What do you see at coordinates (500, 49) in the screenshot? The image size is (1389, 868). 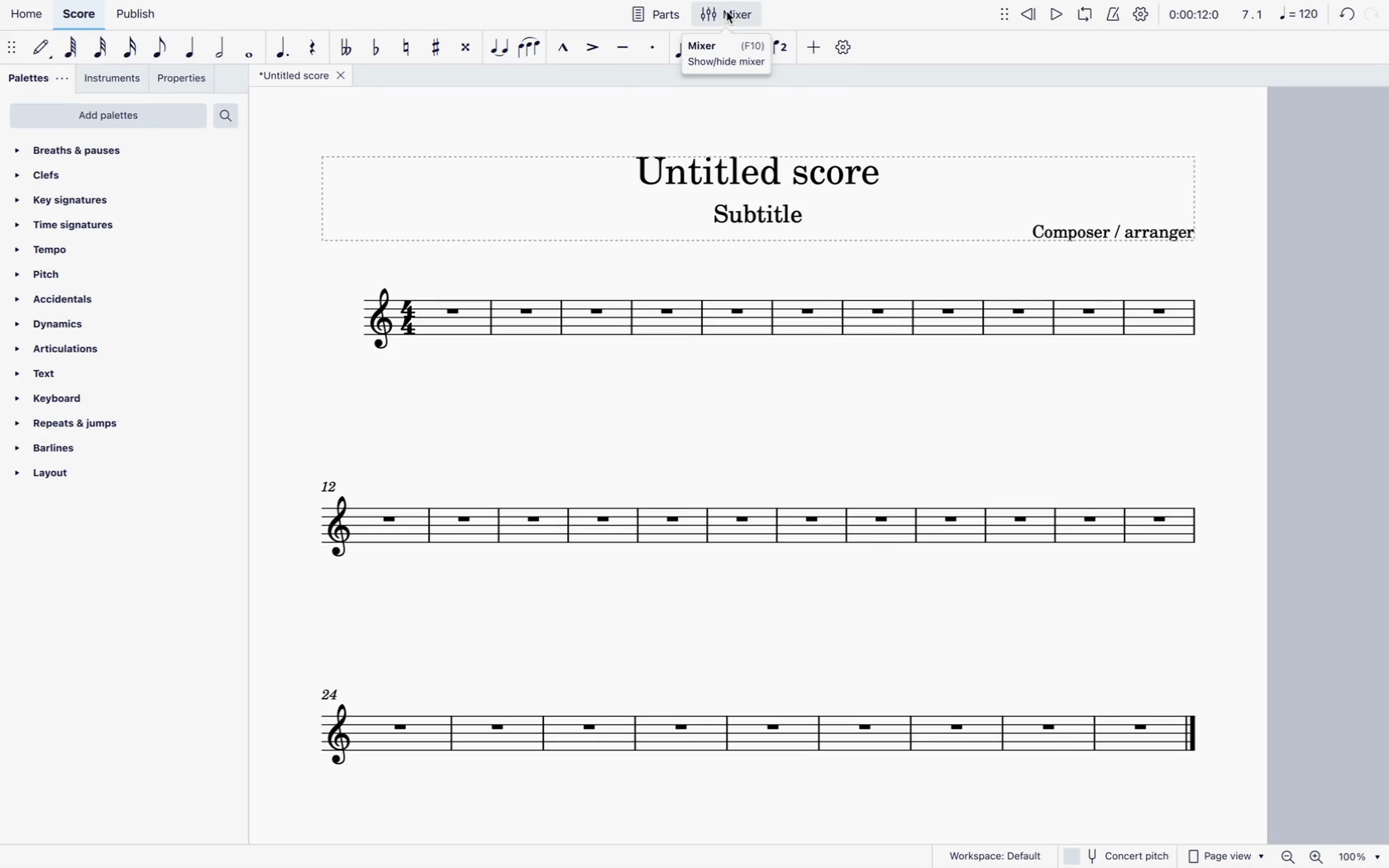 I see `tie` at bounding box center [500, 49].